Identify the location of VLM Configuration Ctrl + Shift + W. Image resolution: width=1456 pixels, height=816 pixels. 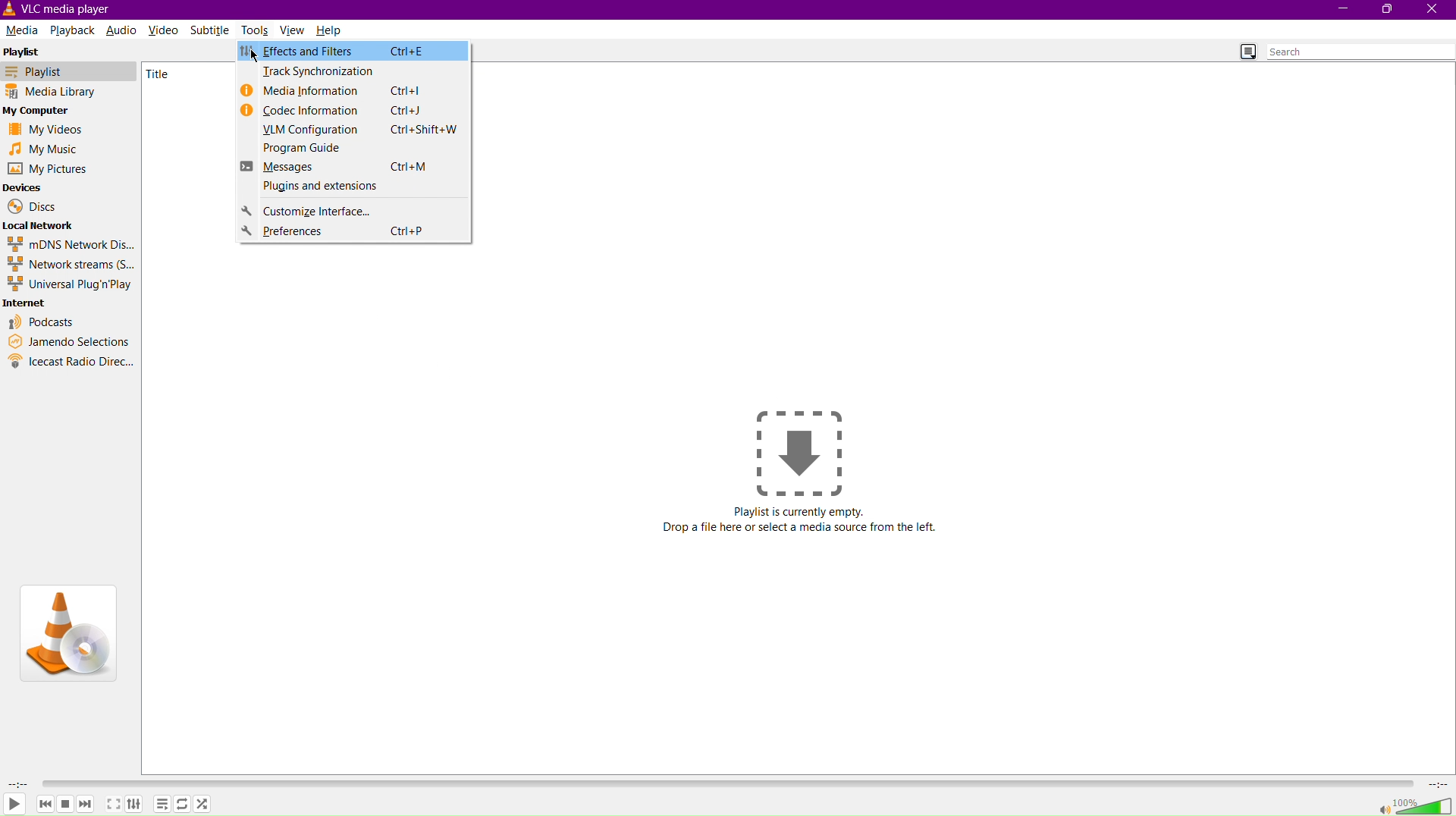
(351, 130).